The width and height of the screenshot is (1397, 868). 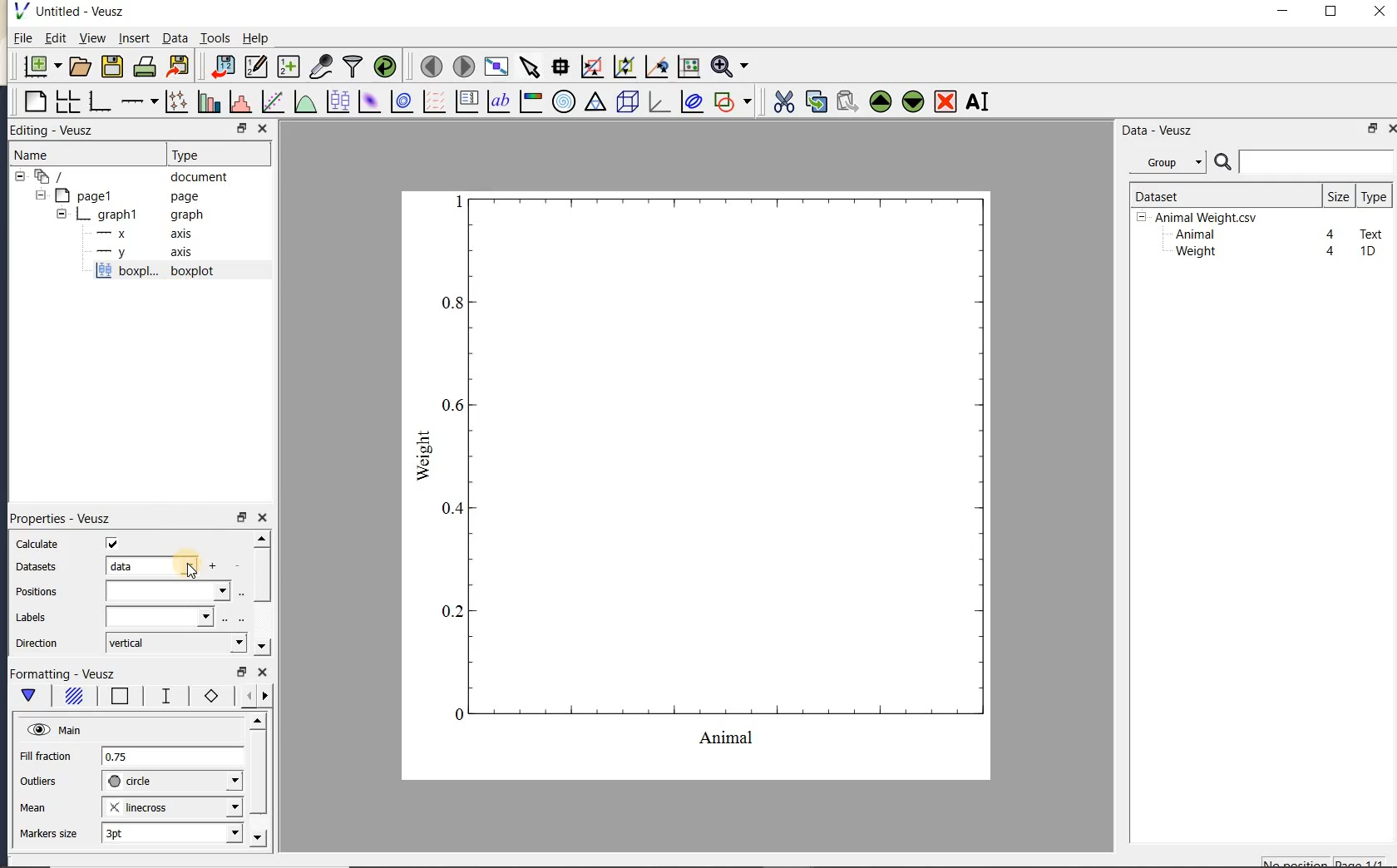 What do you see at coordinates (54, 728) in the screenshot?
I see `Main` at bounding box center [54, 728].